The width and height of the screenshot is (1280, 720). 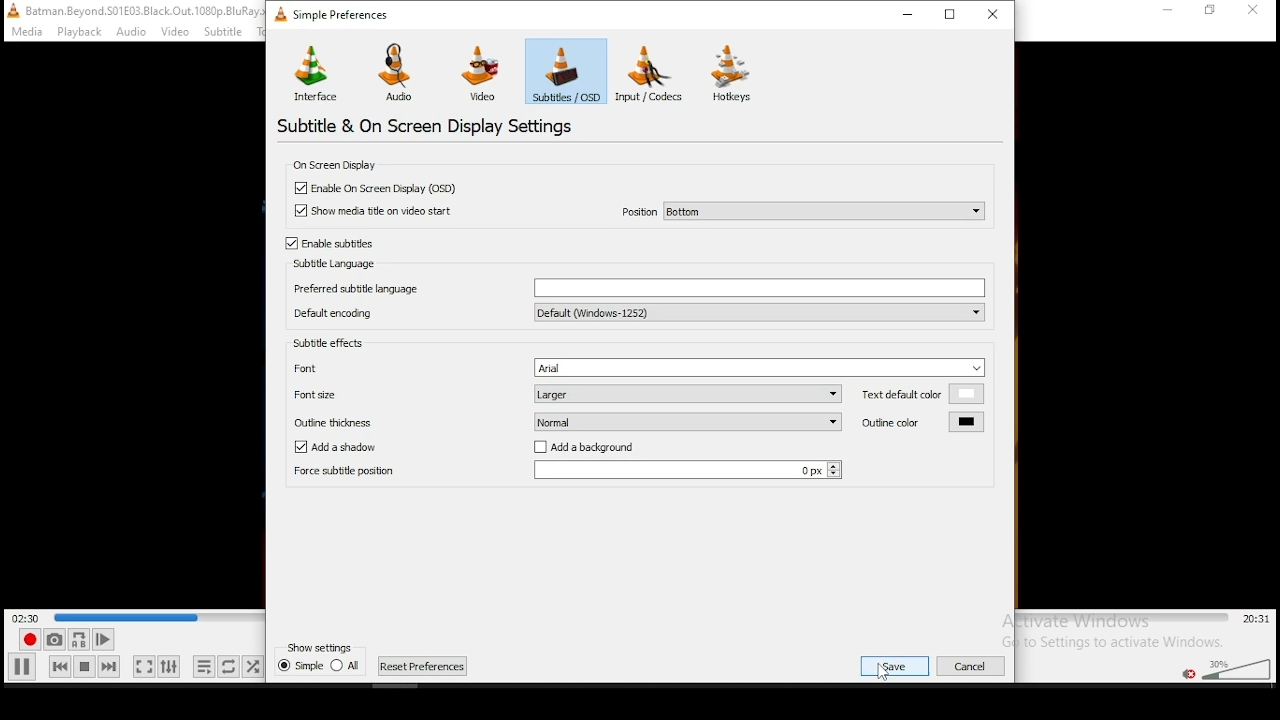 I want to click on on screen display, so click(x=332, y=164).